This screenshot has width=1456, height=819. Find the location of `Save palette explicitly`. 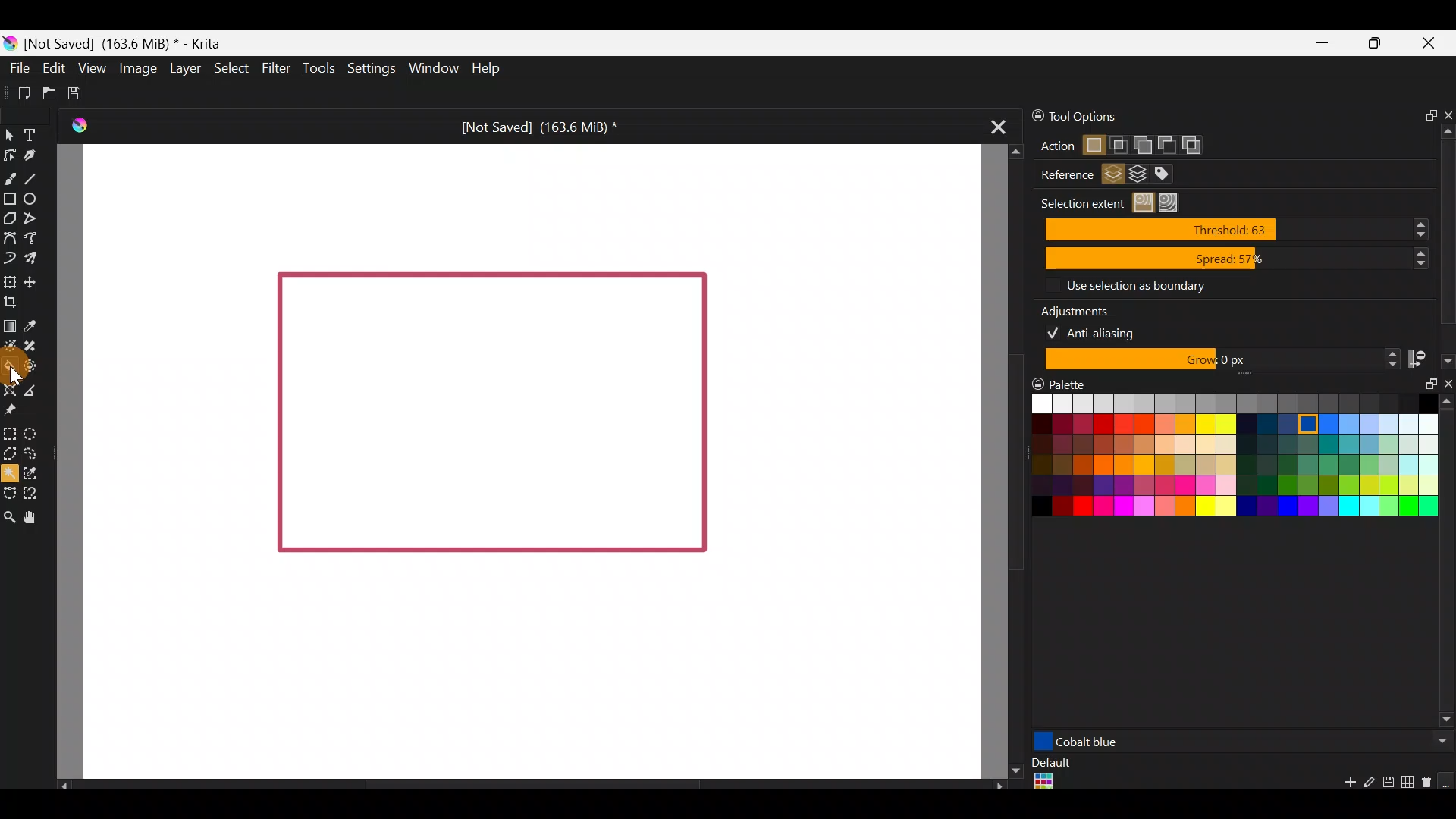

Save palette explicitly is located at coordinates (1387, 783).